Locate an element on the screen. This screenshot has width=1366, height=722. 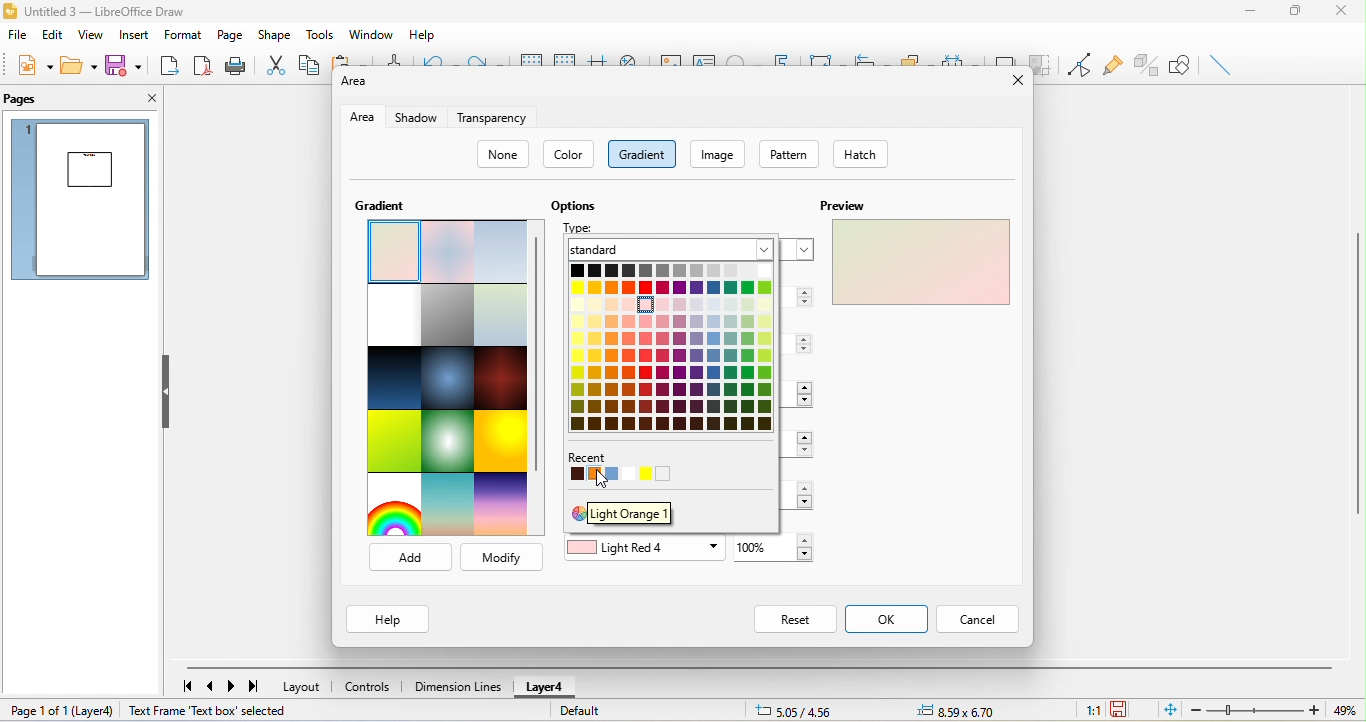
shadow is located at coordinates (1006, 55).